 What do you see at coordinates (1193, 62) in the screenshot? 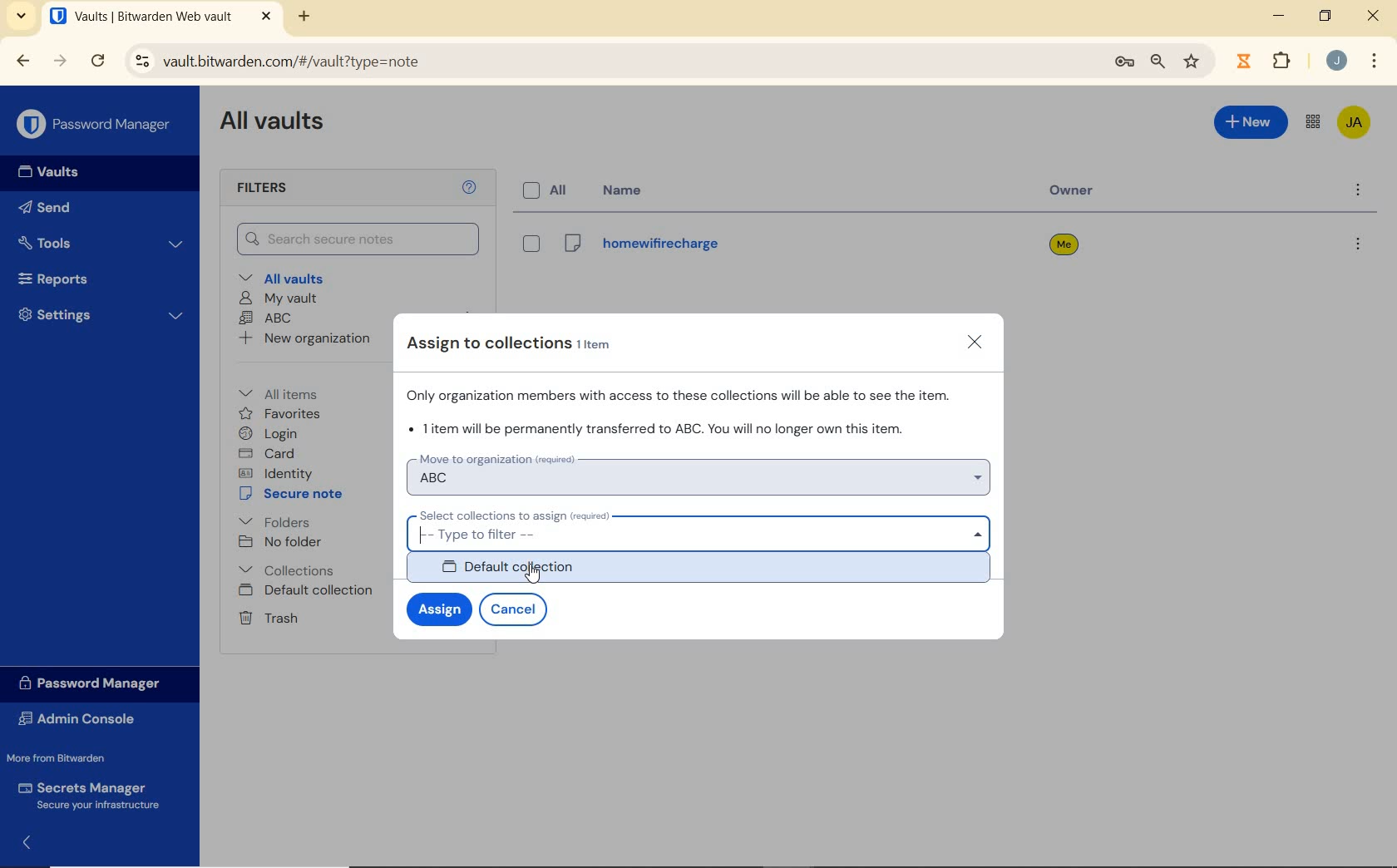
I see `bookmark` at bounding box center [1193, 62].